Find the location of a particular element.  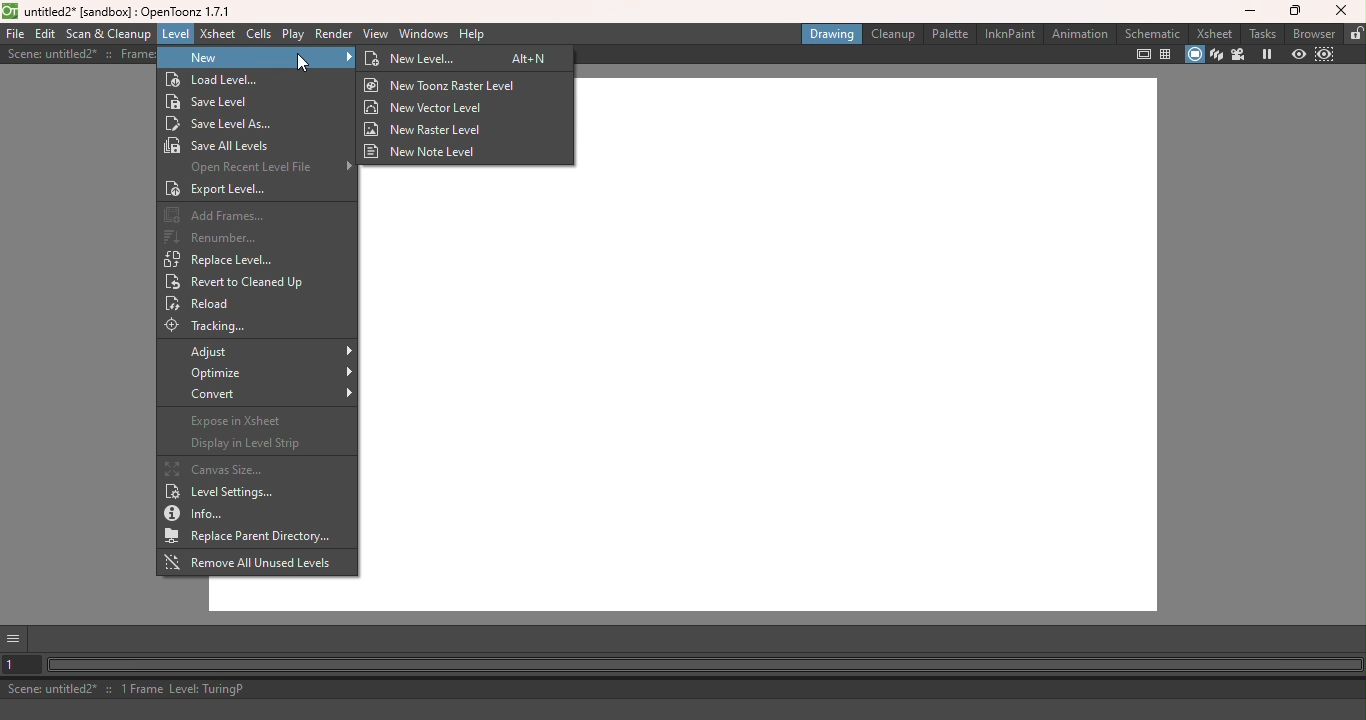

Save level as is located at coordinates (227, 123).